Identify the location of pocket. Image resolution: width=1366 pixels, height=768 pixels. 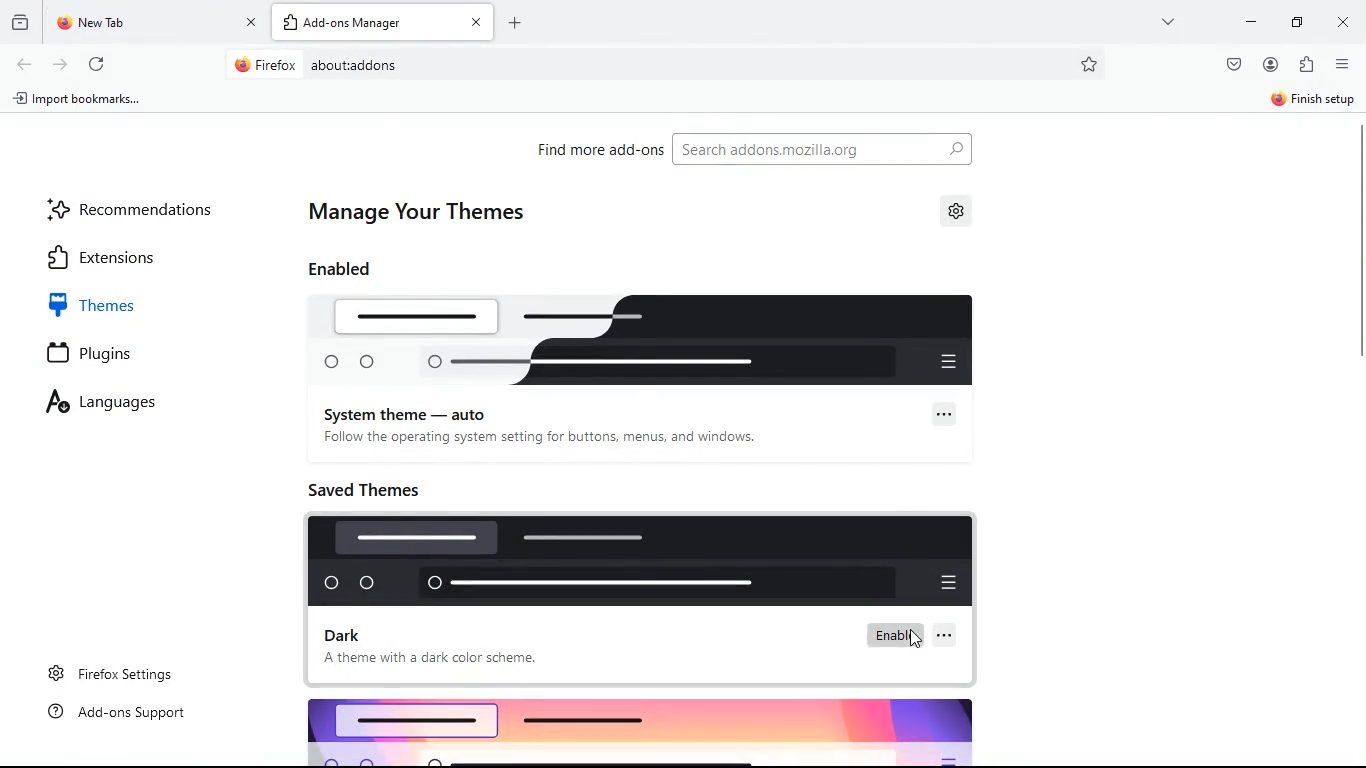
(1233, 64).